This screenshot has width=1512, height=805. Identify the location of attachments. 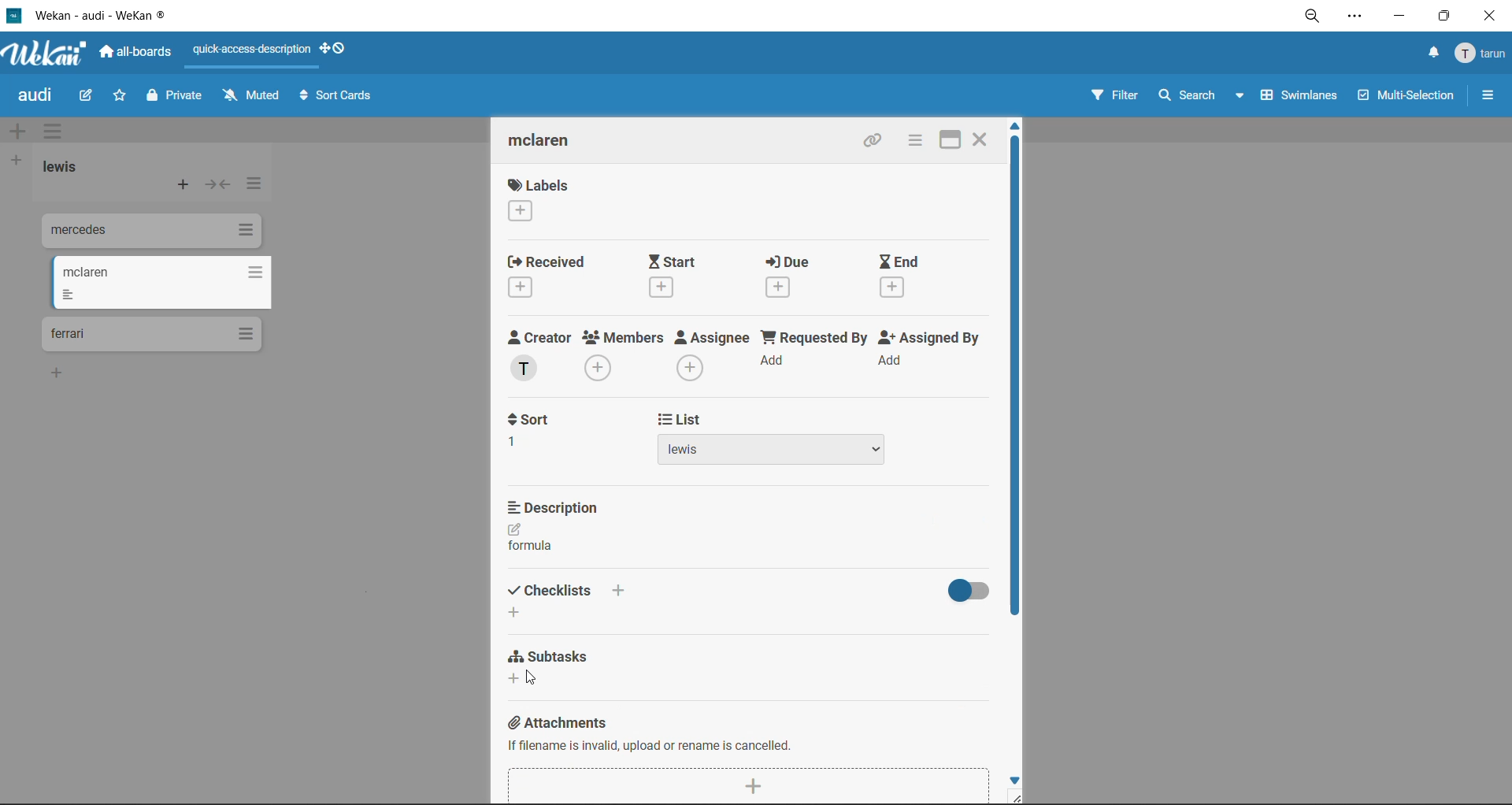
(558, 719).